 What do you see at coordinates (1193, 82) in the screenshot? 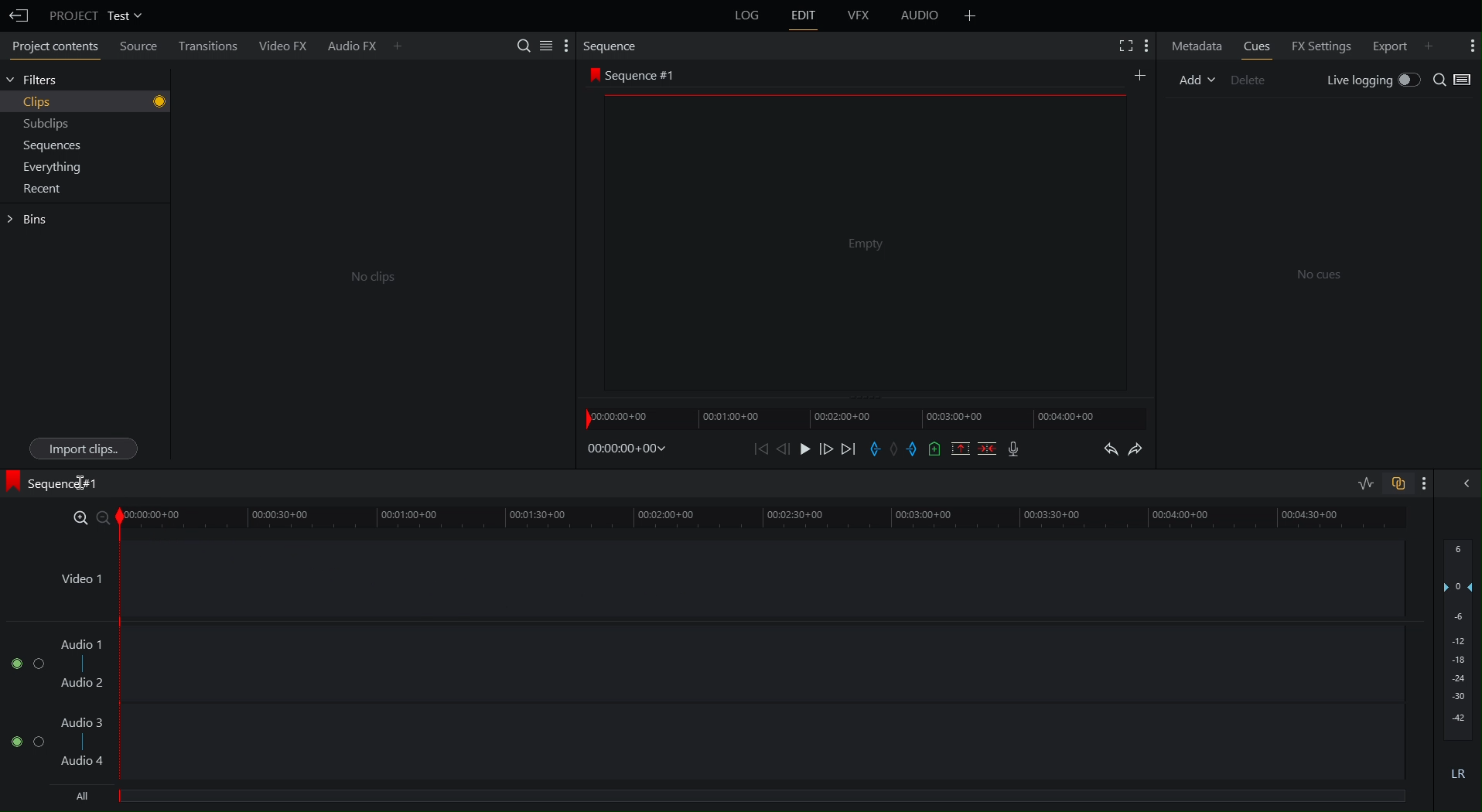
I see `Add` at bounding box center [1193, 82].